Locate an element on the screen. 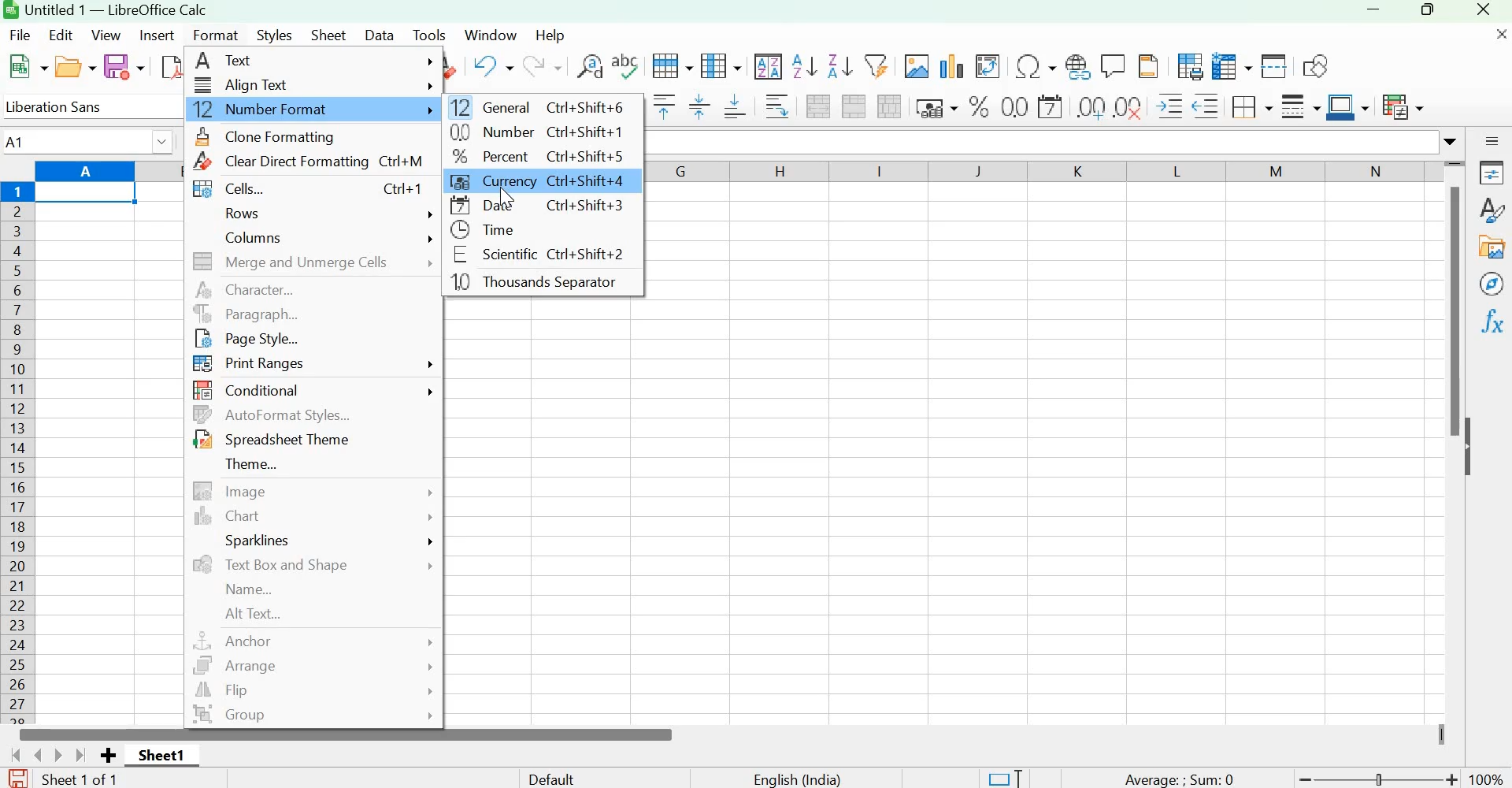 The image size is (1512, 788). Insert is located at coordinates (158, 36).